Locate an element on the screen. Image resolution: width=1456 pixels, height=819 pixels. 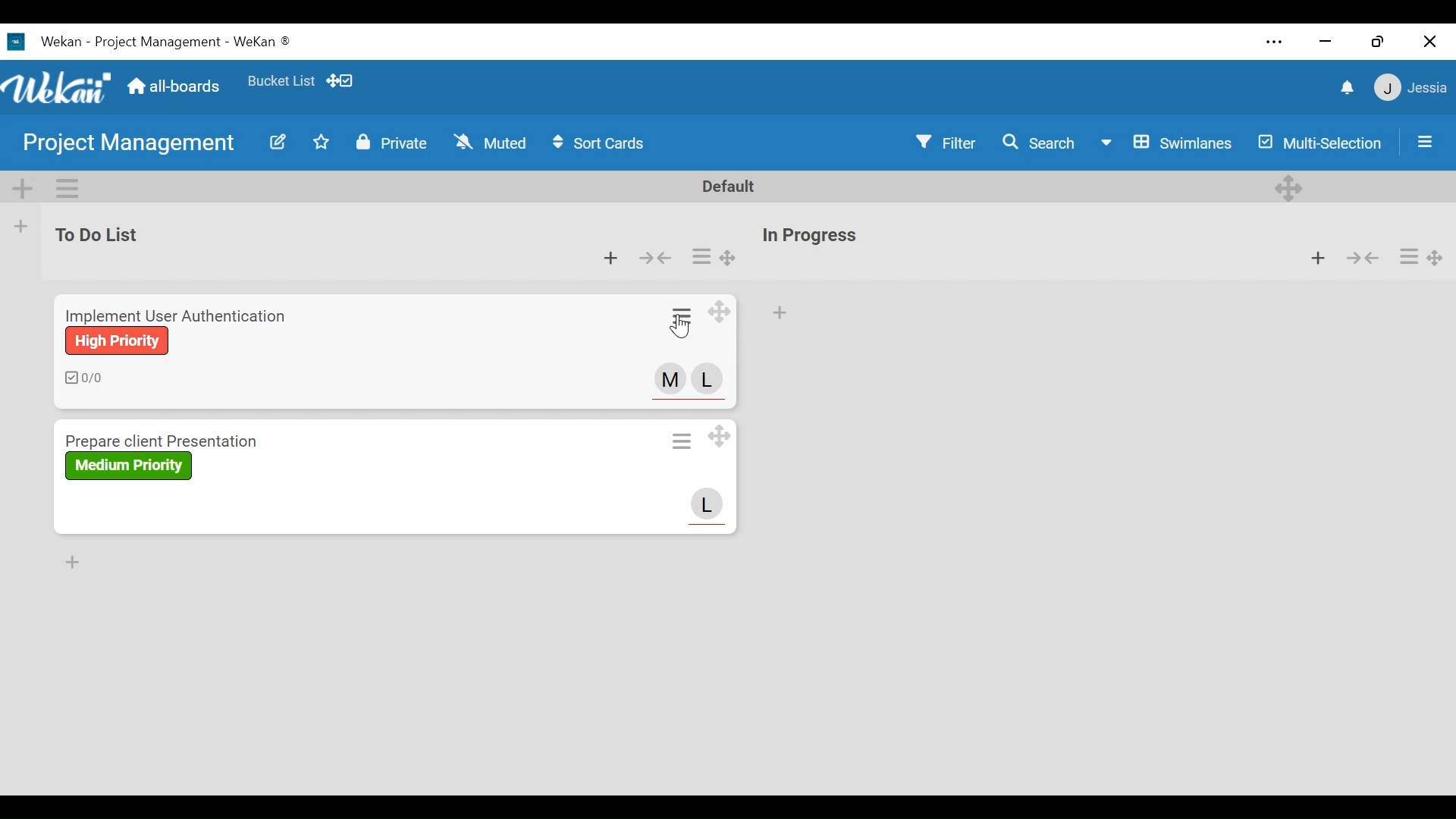
Board Name is located at coordinates (130, 145).